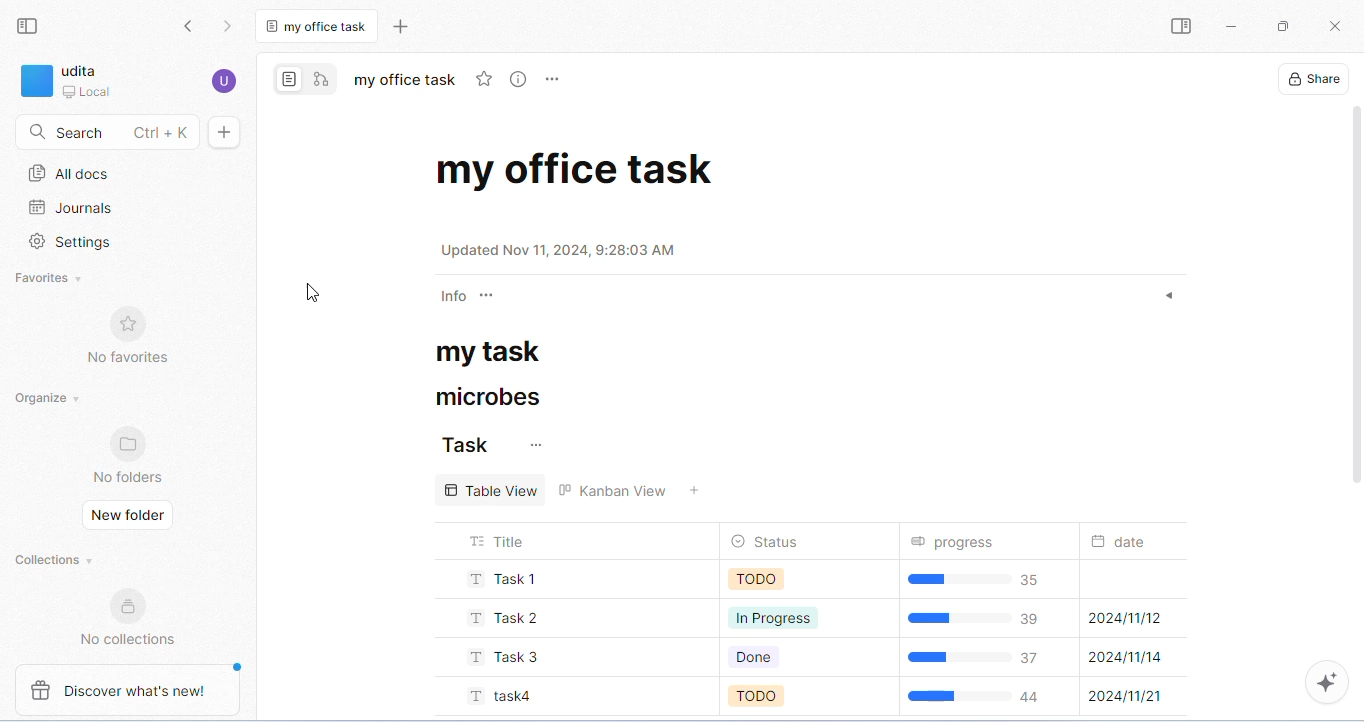  I want to click on progress 35, so click(979, 581).